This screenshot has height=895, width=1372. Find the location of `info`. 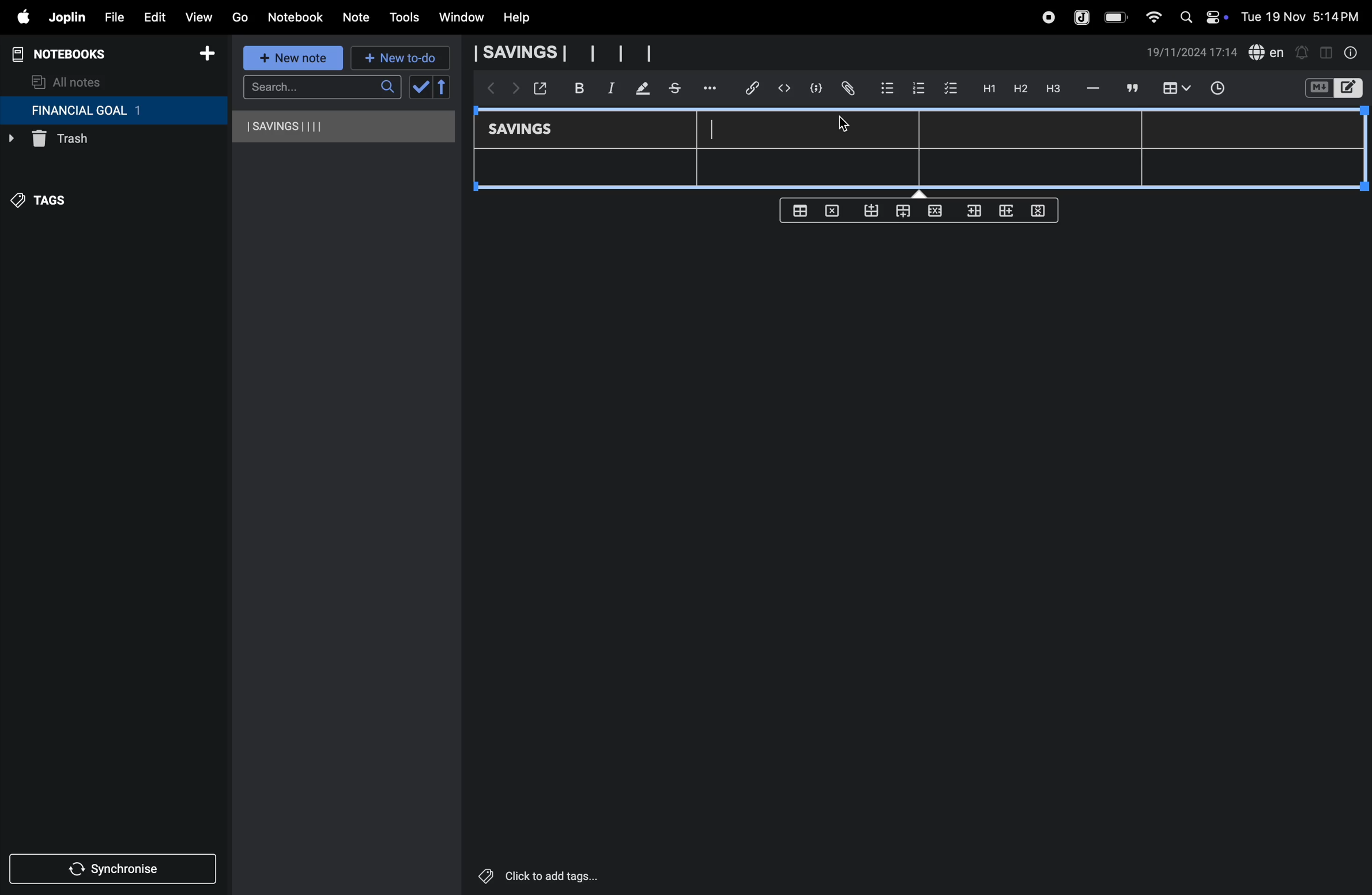

info is located at coordinates (1352, 52).